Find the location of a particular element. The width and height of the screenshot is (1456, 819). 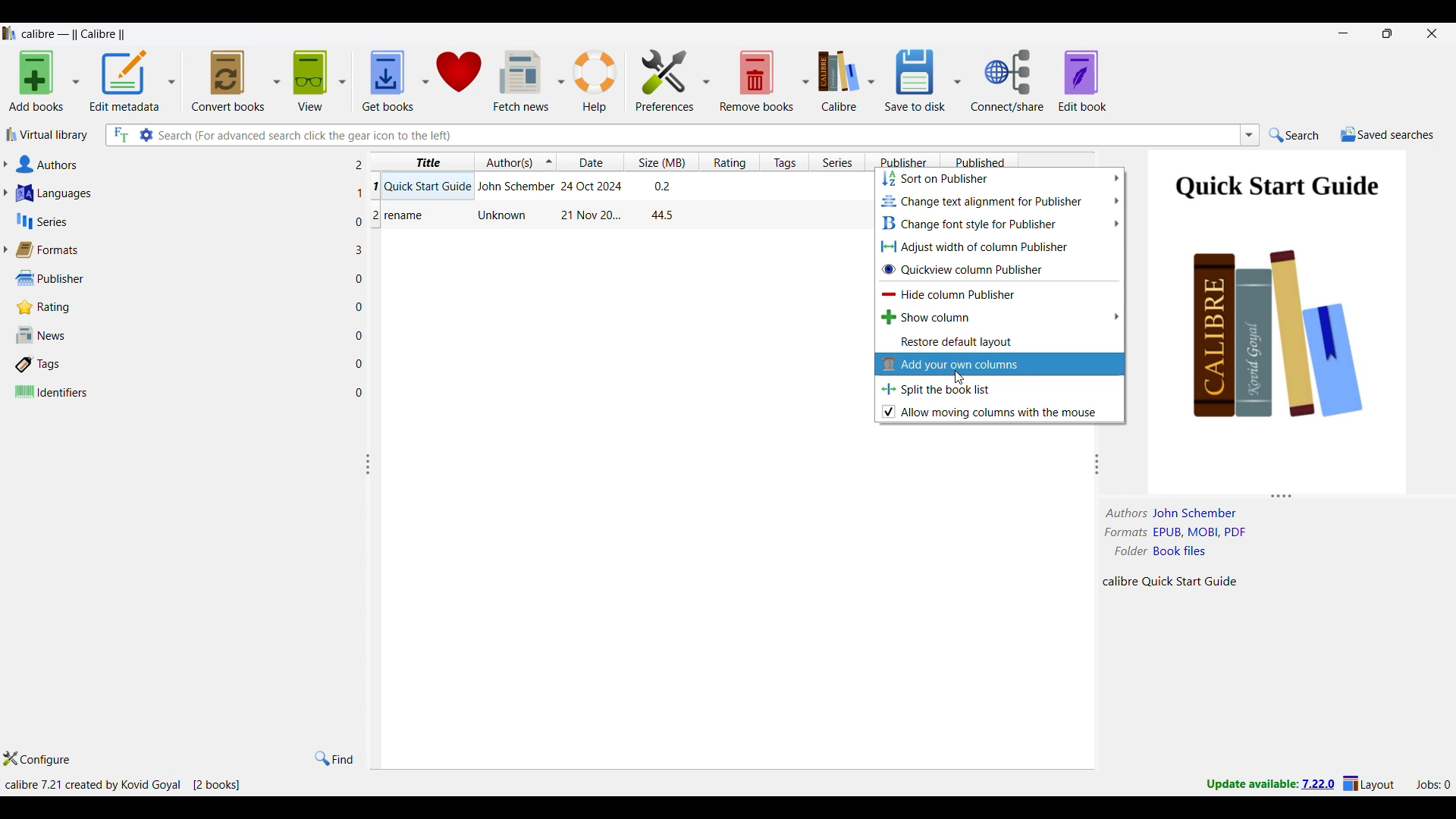

44.5 is located at coordinates (663, 215).